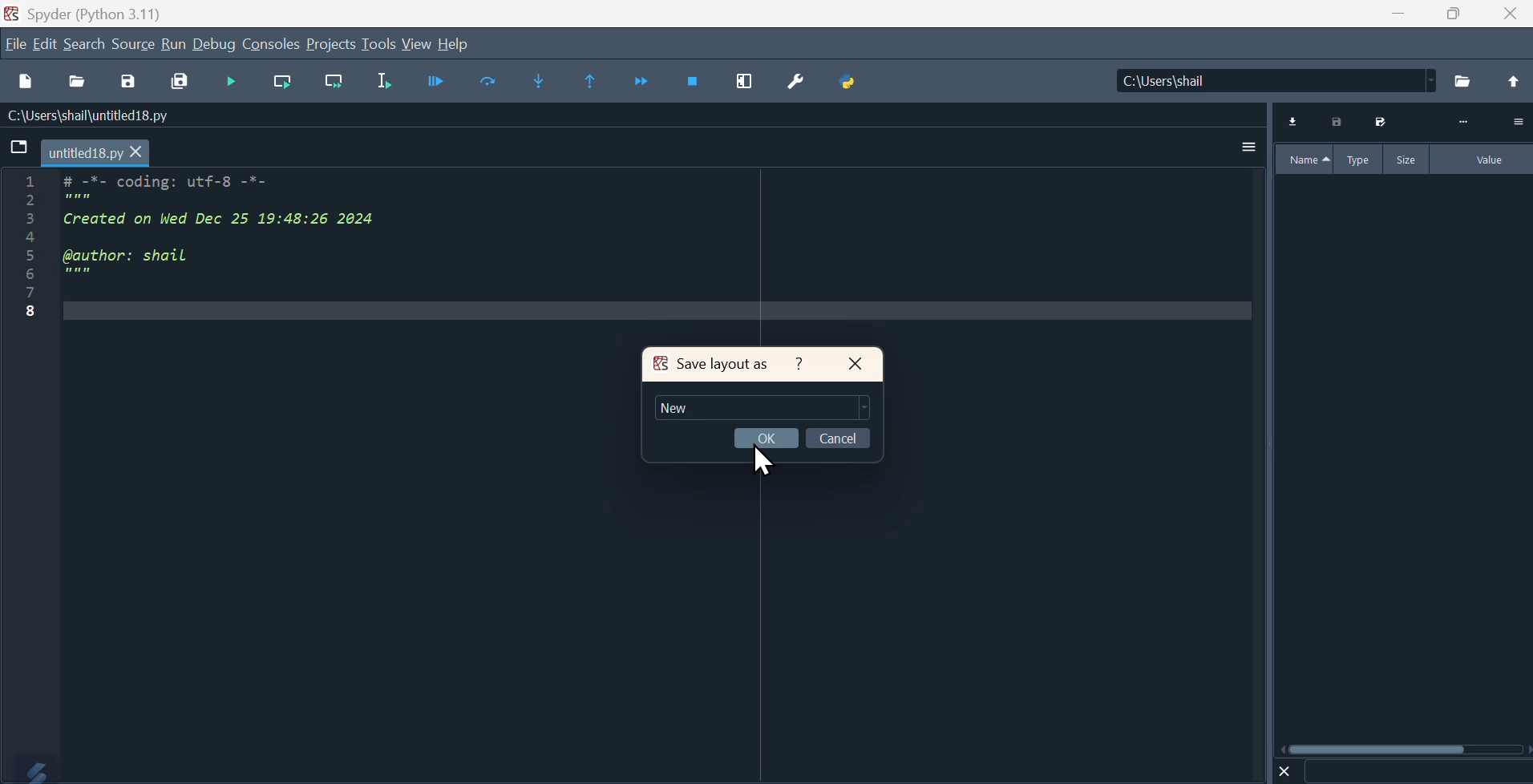  I want to click on Debugger, so click(435, 81).